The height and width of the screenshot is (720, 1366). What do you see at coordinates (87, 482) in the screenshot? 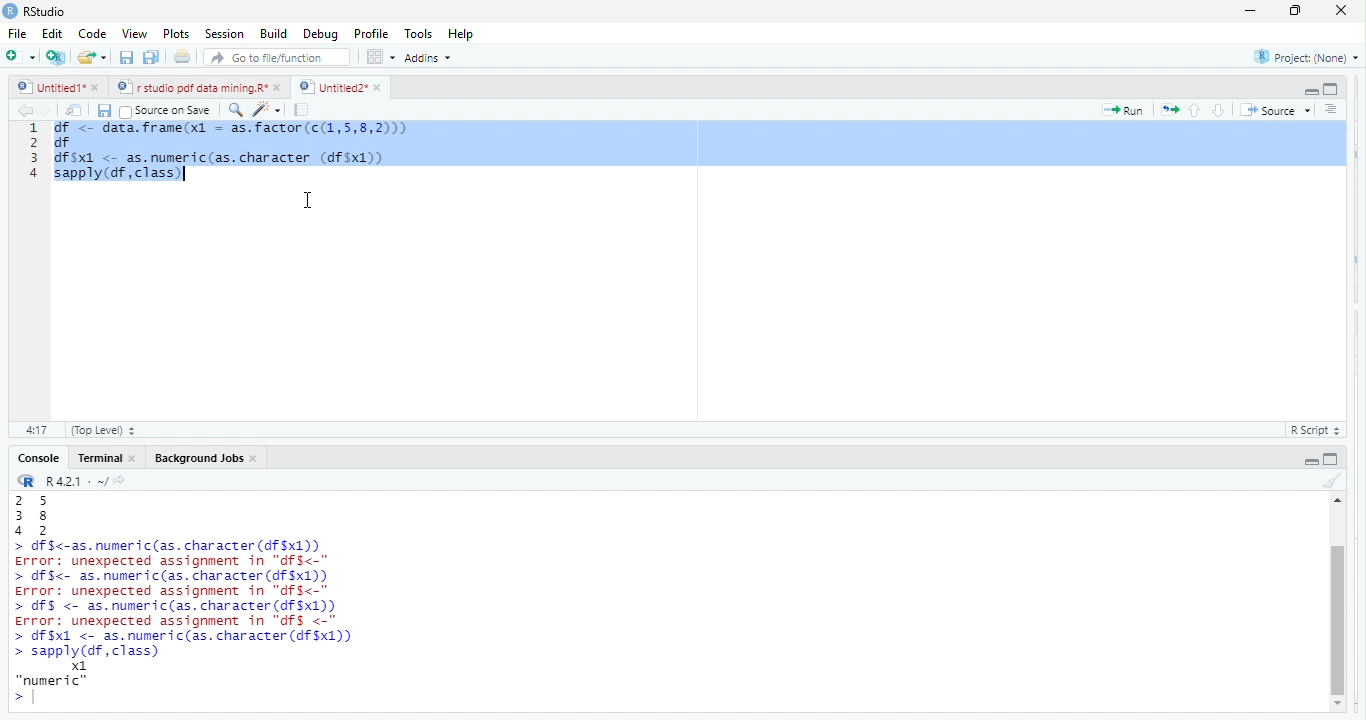
I see `R421: ~/` at bounding box center [87, 482].